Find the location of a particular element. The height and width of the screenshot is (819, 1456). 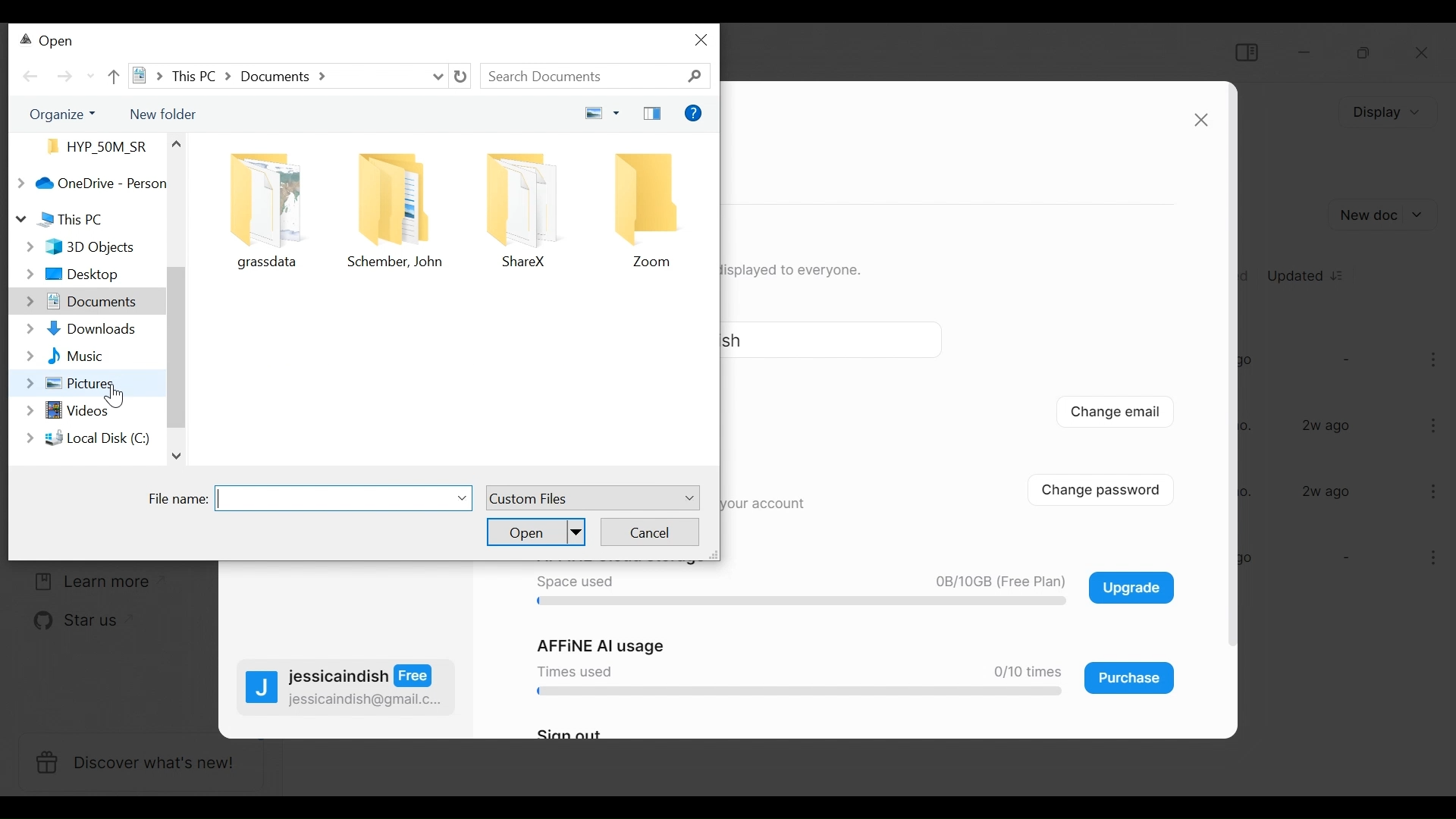

cursor is located at coordinates (113, 398).